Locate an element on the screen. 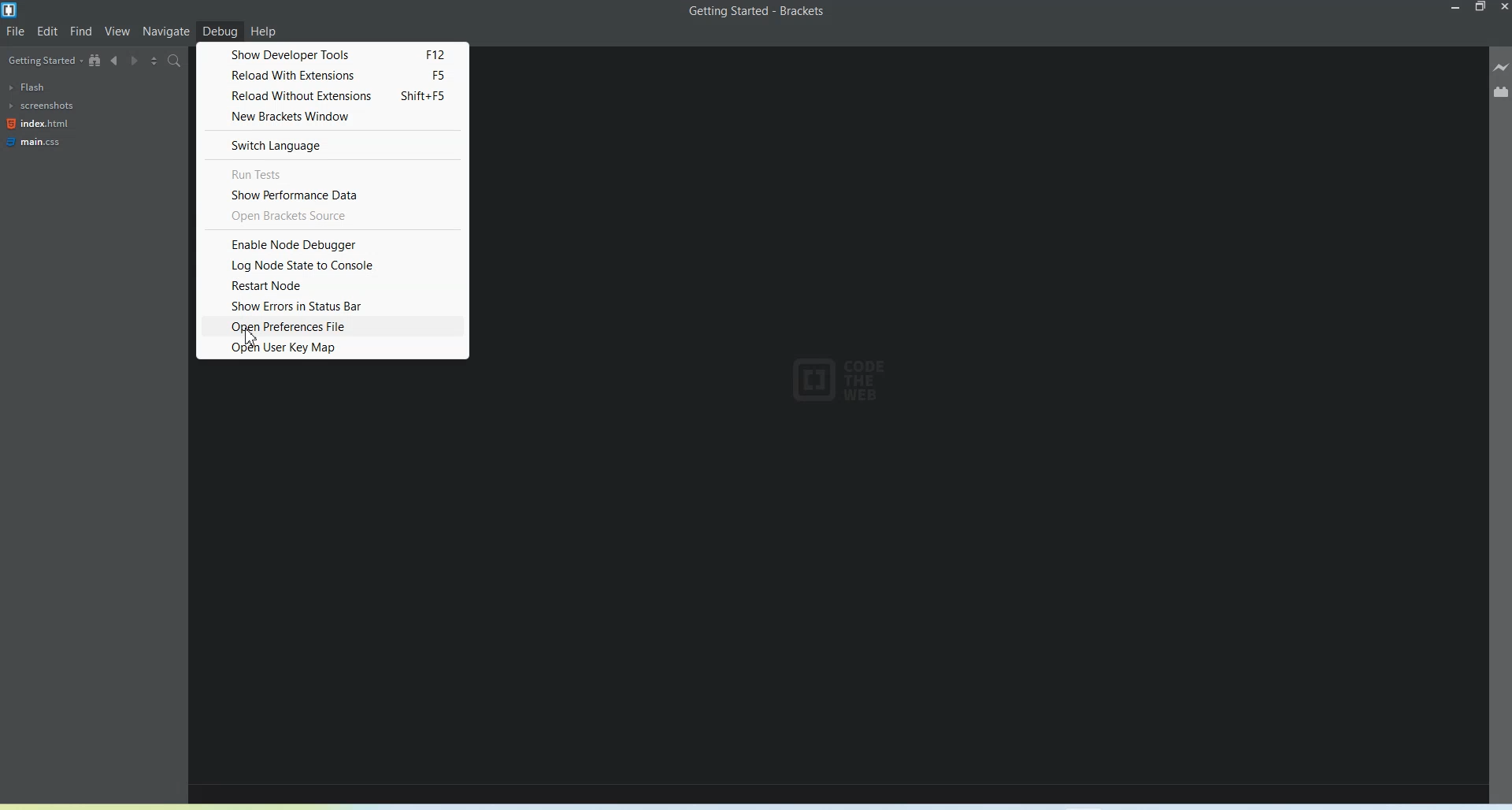 Image resolution: width=1512 pixels, height=810 pixels. index.html is located at coordinates (39, 124).